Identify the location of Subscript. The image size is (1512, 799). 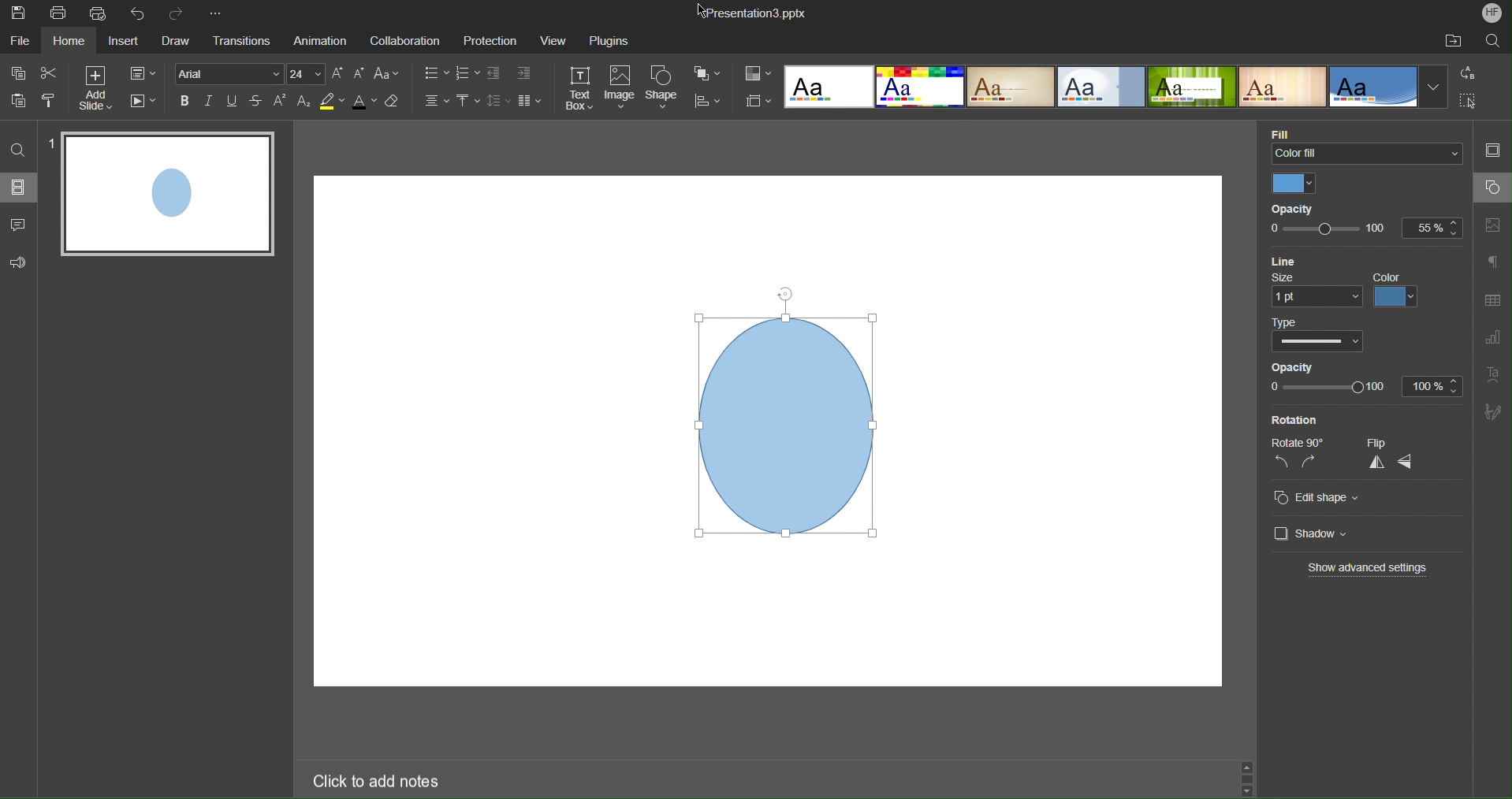
(304, 102).